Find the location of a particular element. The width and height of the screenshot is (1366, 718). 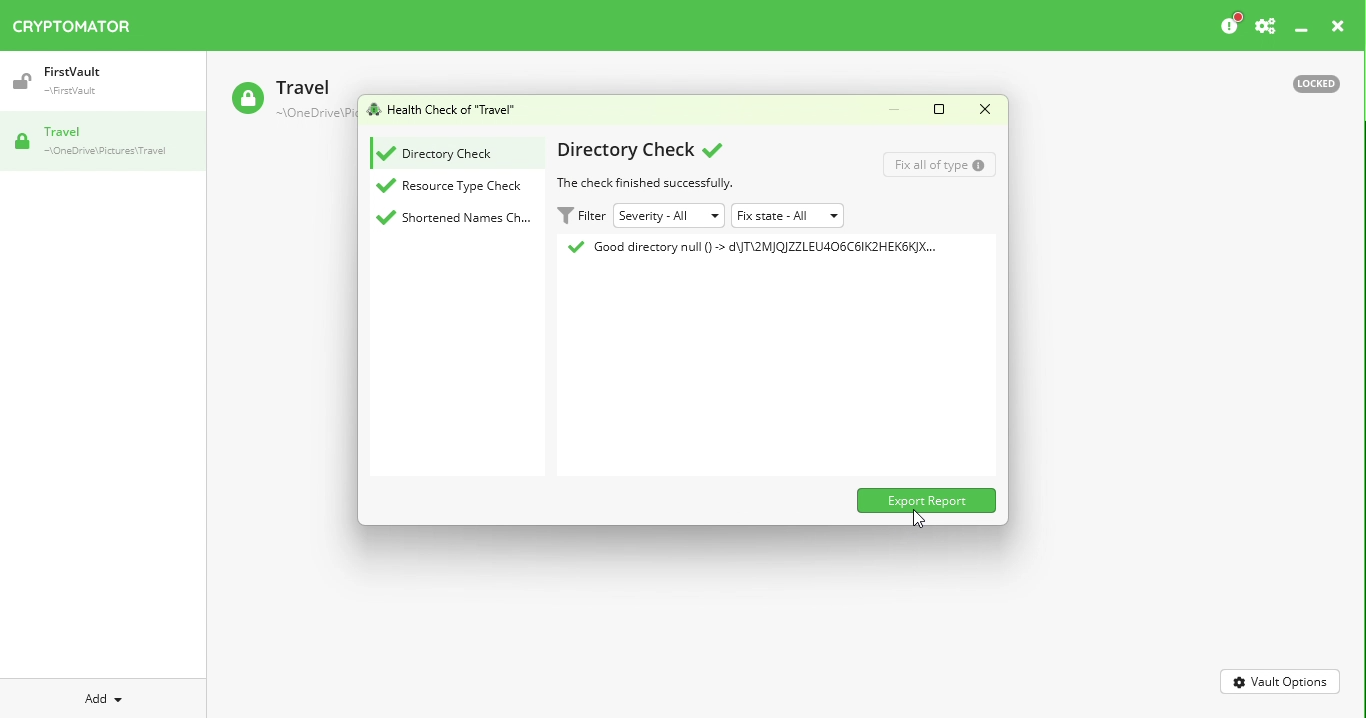

Minimize is located at coordinates (894, 107).